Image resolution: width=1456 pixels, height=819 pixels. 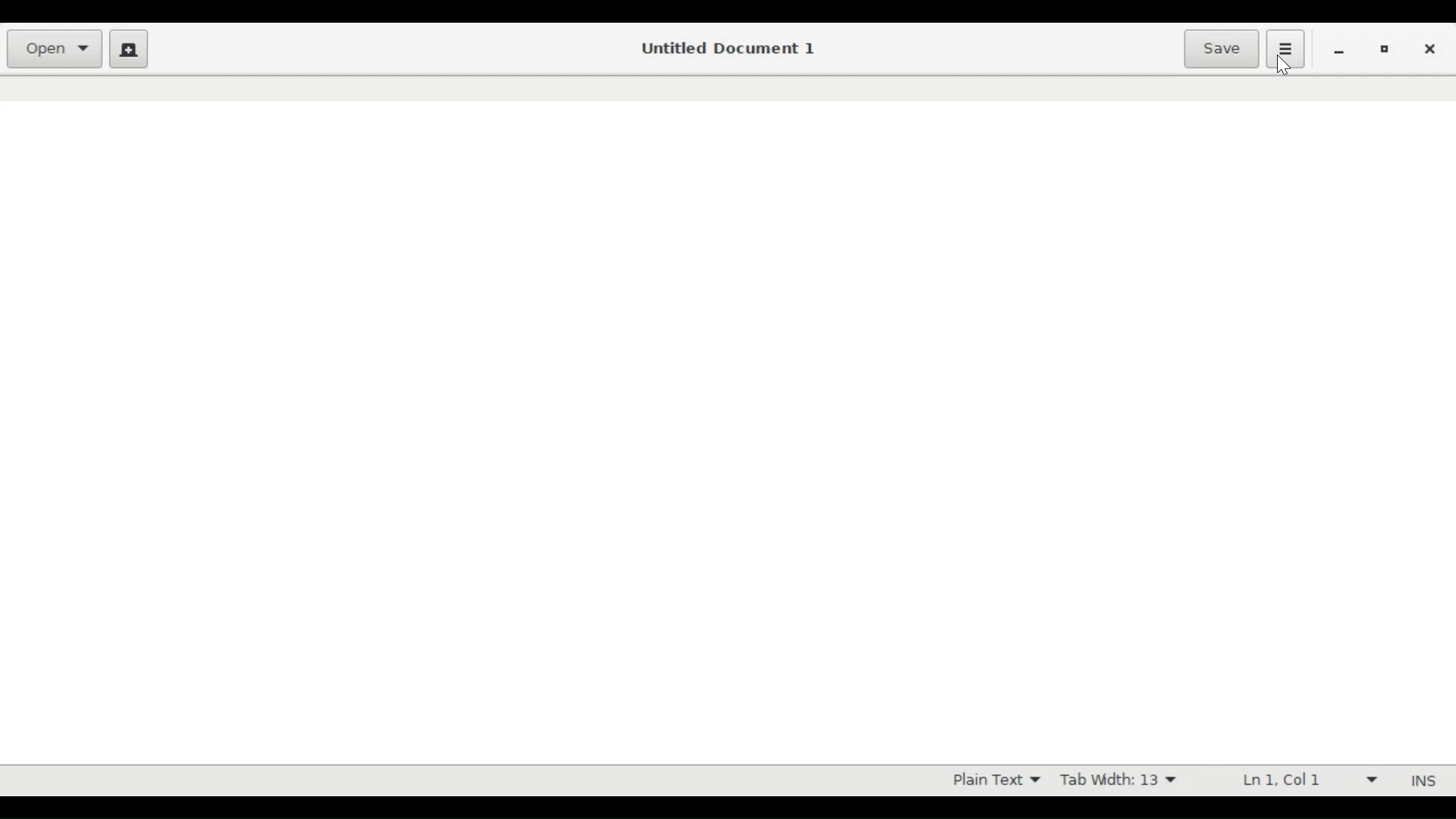 I want to click on Untitled Document 1, so click(x=731, y=49).